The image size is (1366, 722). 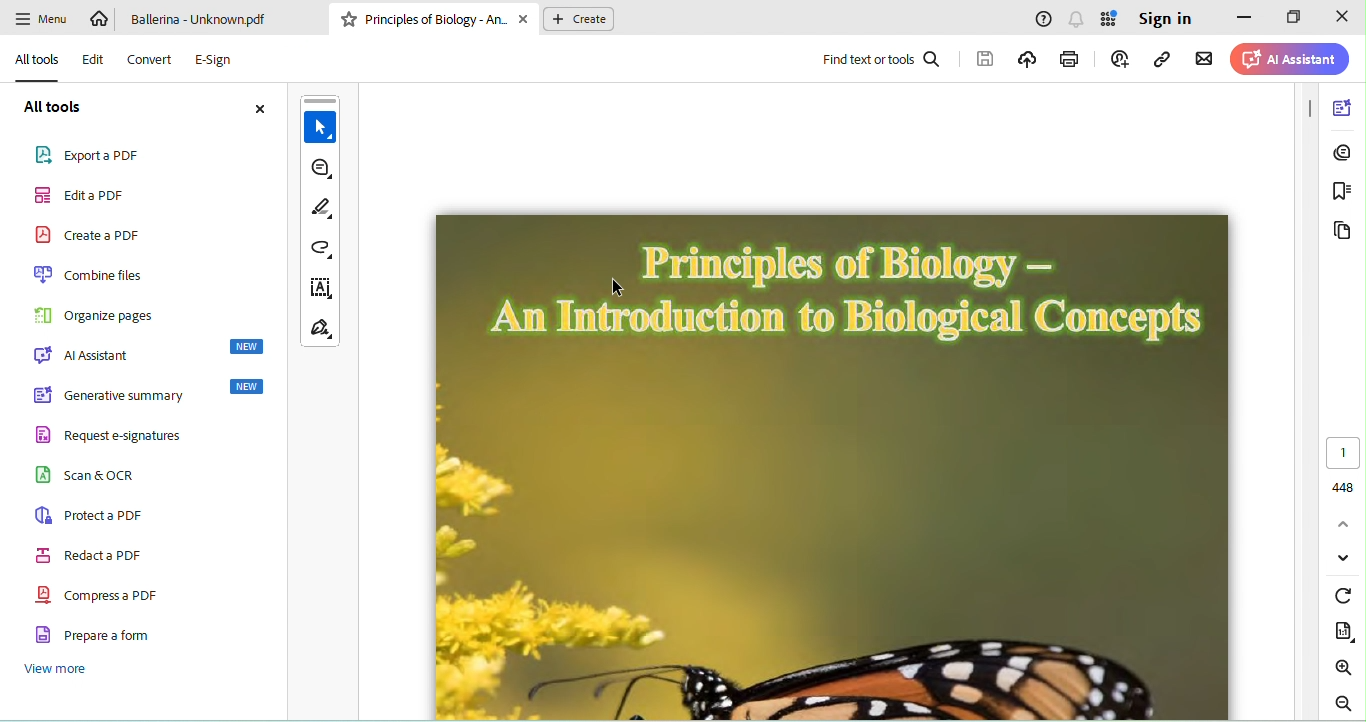 I want to click on draw freehand, so click(x=321, y=250).